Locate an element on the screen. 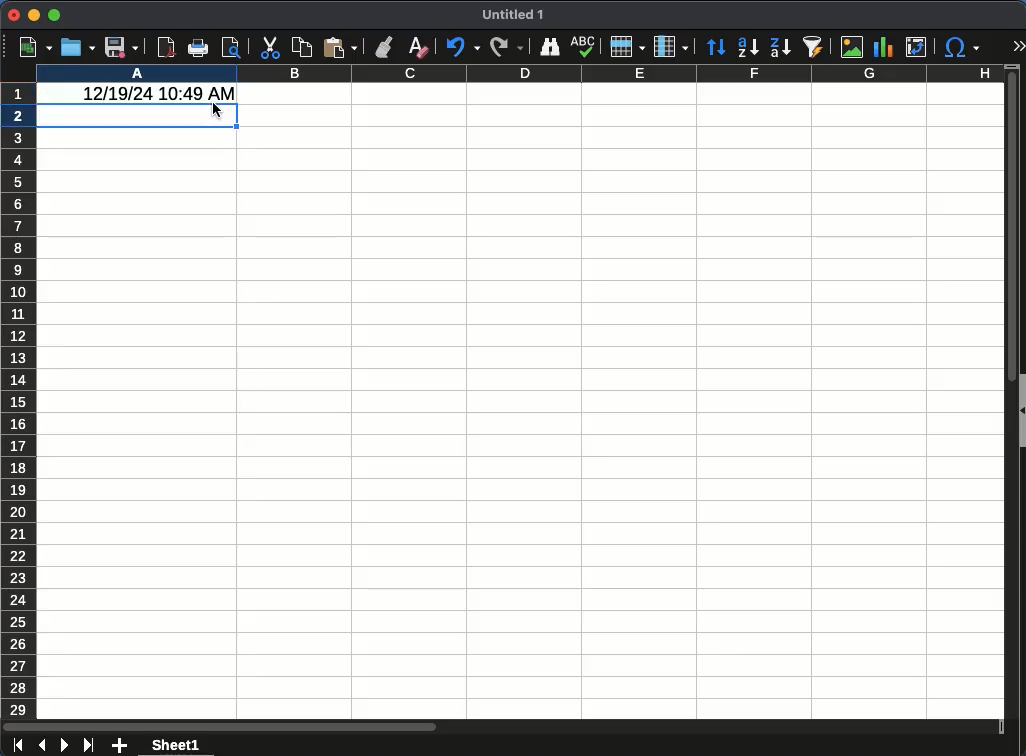  filter is located at coordinates (816, 47).